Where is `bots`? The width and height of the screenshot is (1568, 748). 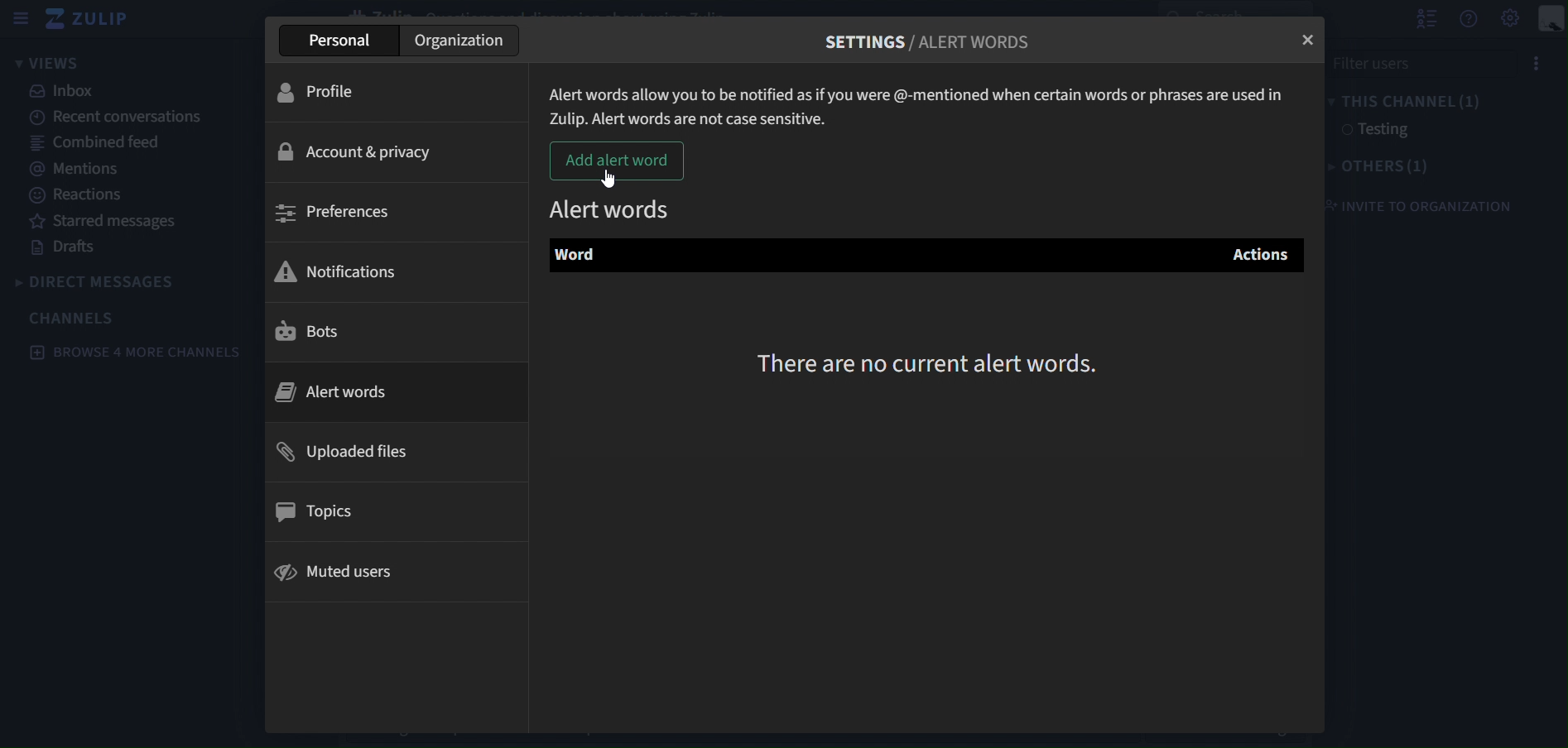 bots is located at coordinates (310, 336).